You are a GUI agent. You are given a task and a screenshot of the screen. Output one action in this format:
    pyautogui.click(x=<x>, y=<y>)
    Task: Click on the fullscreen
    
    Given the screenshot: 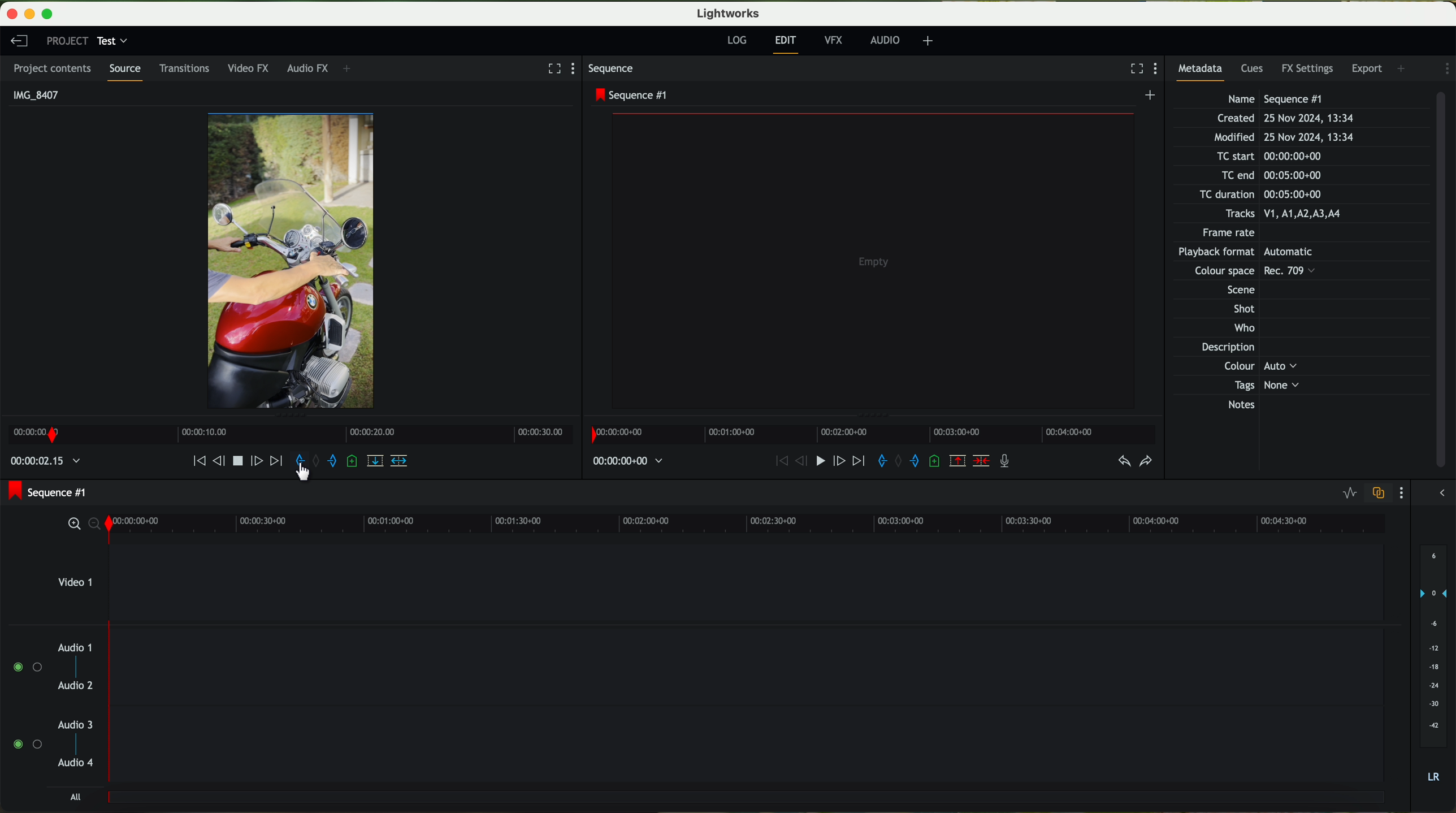 What is the action you would take?
    pyautogui.click(x=552, y=68)
    